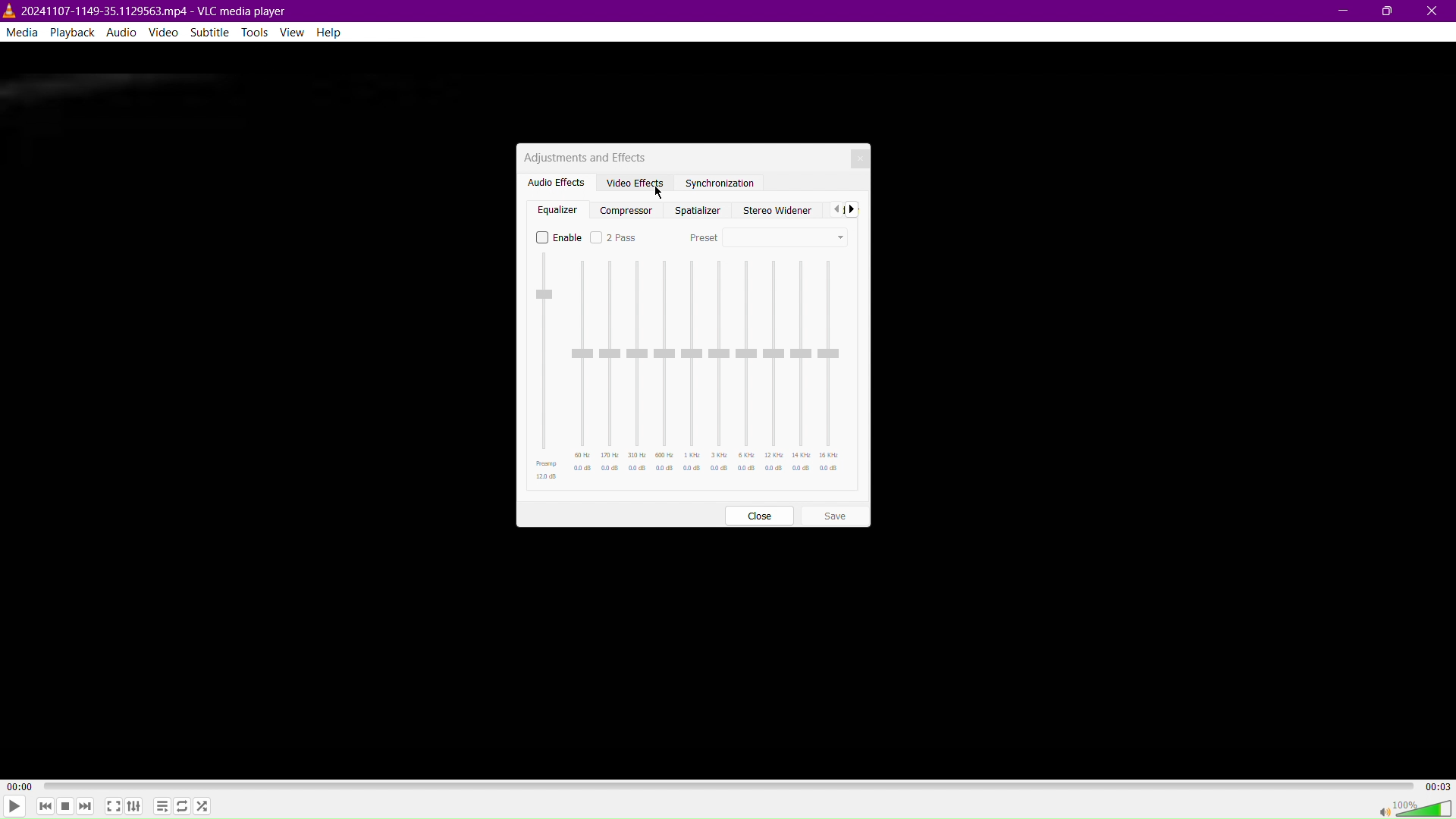 This screenshot has height=819, width=1456. Describe the element at coordinates (859, 158) in the screenshot. I see `Close` at that location.